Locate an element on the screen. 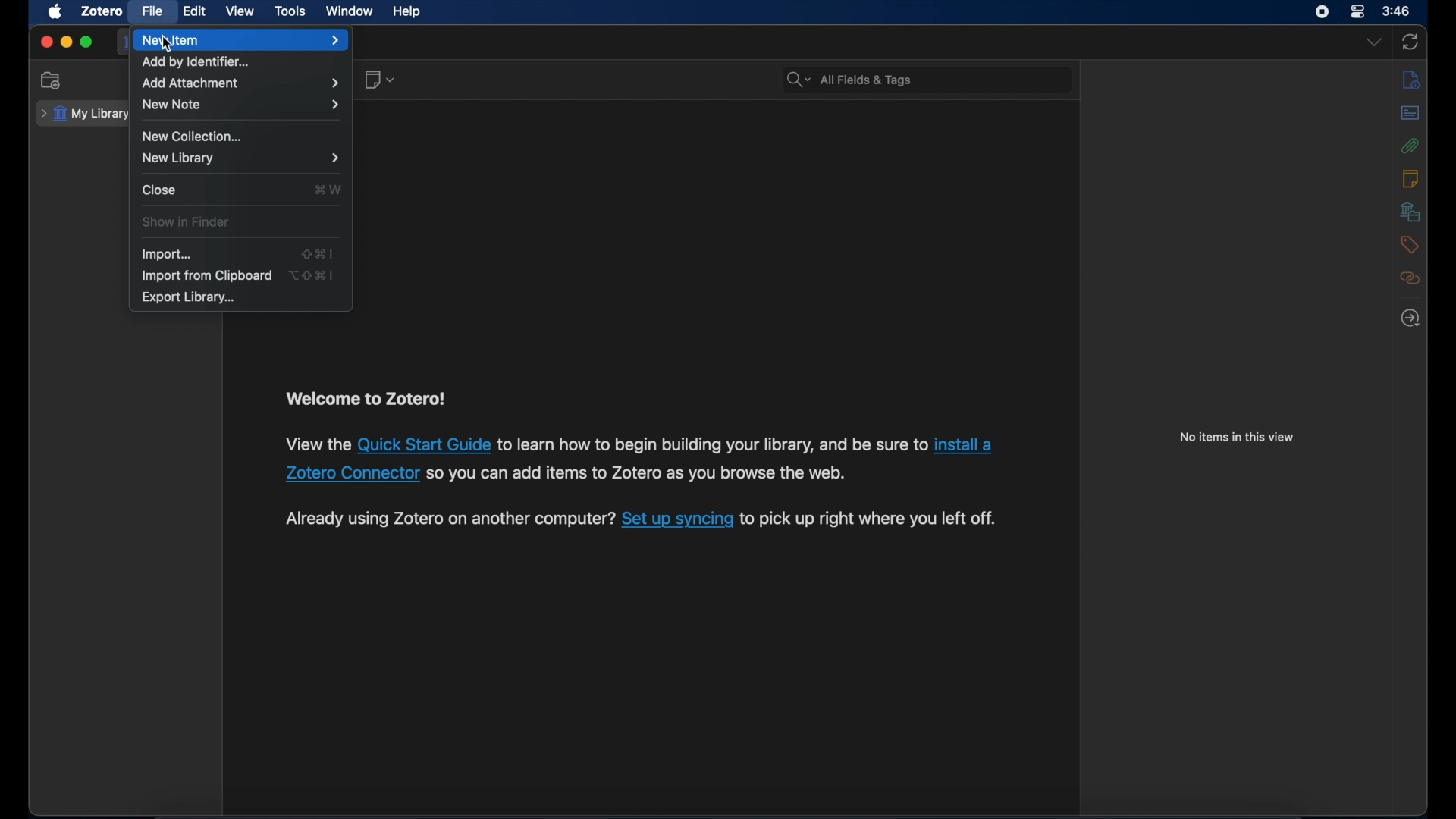 This screenshot has height=819, width=1456. no items in this view is located at coordinates (1238, 438).